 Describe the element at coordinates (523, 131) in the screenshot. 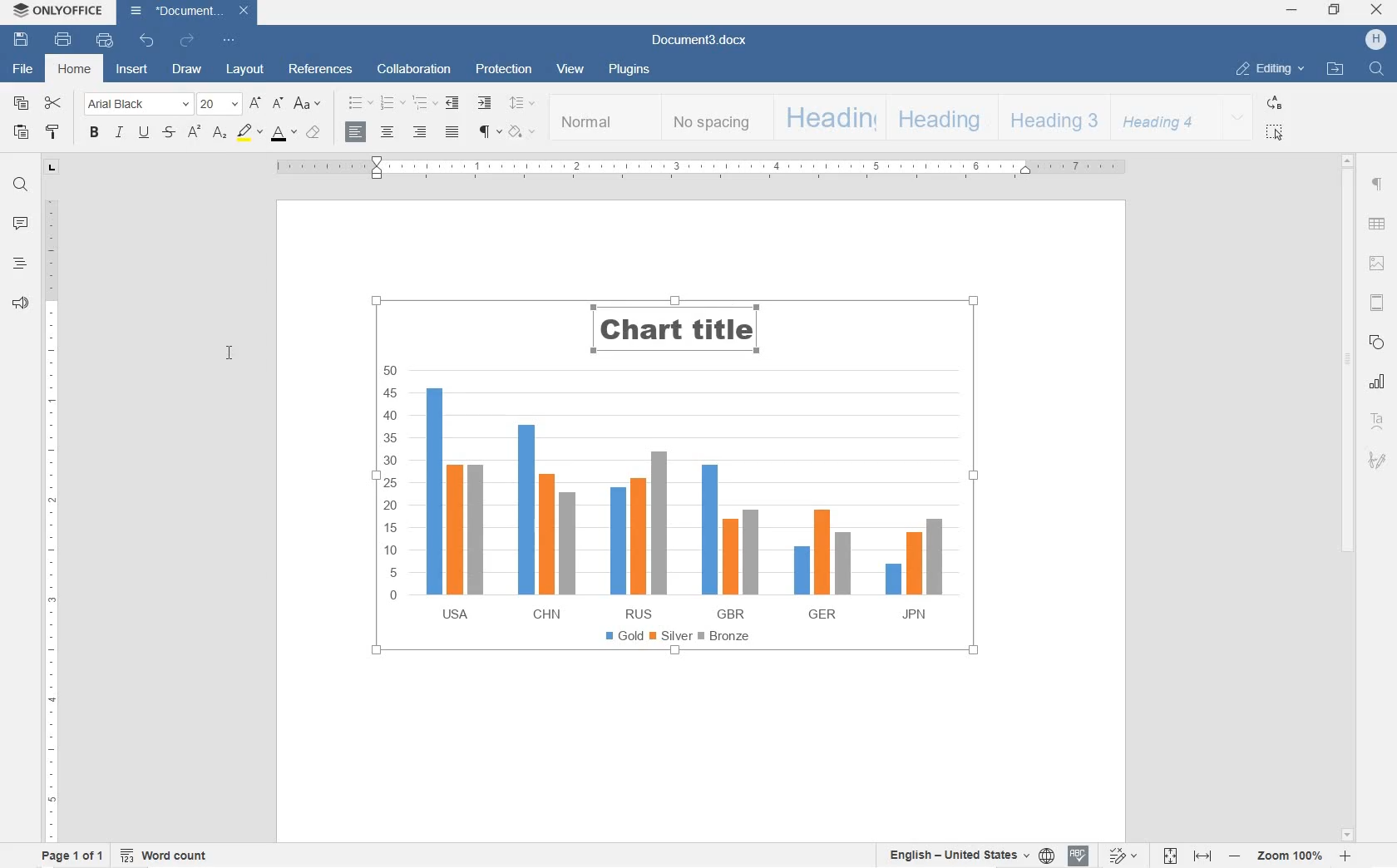

I see `SHADING` at that location.